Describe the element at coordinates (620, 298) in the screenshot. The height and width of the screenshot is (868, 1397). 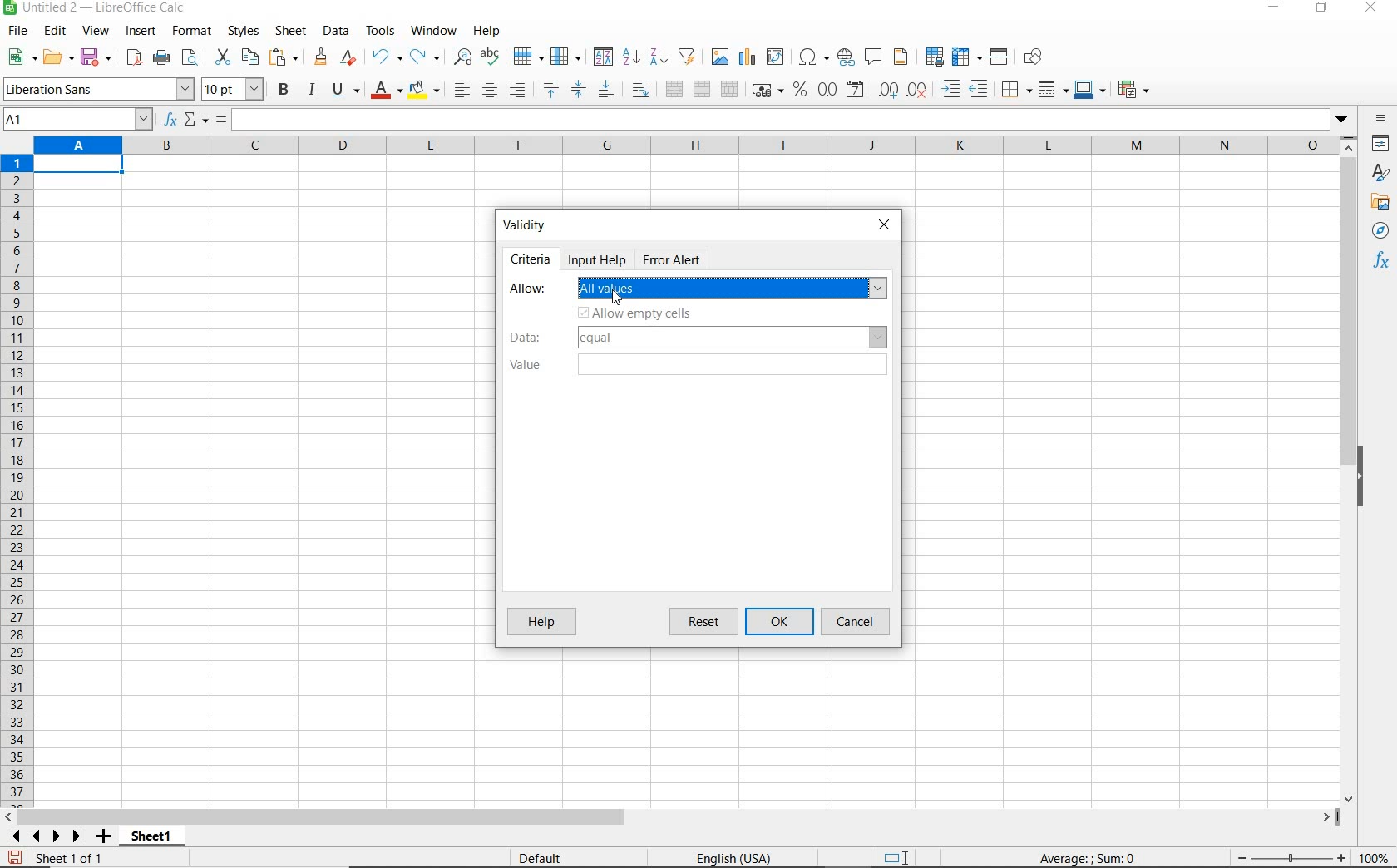
I see `cursor` at that location.